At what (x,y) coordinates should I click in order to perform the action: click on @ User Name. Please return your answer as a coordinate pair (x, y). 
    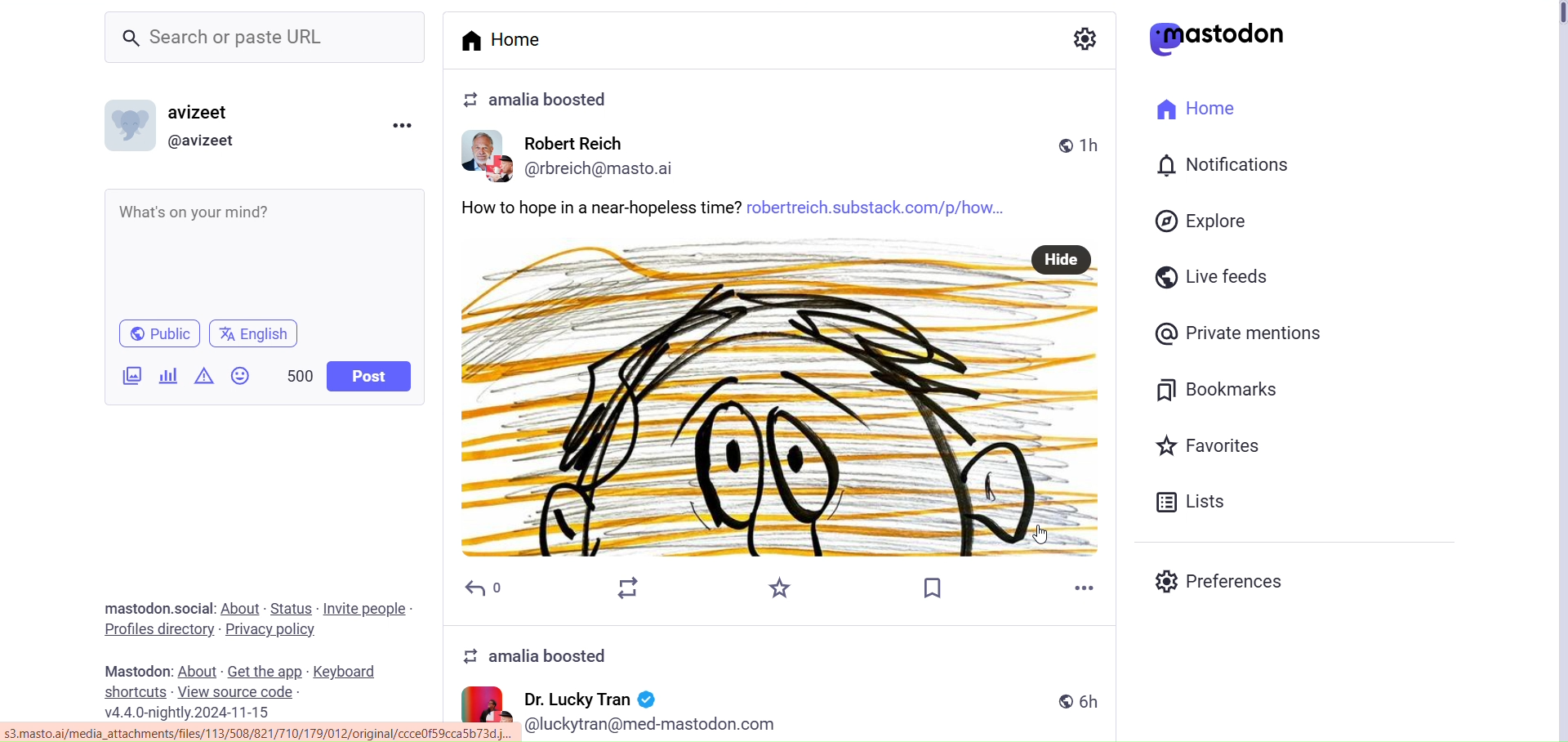
    Looking at the image, I should click on (205, 141).